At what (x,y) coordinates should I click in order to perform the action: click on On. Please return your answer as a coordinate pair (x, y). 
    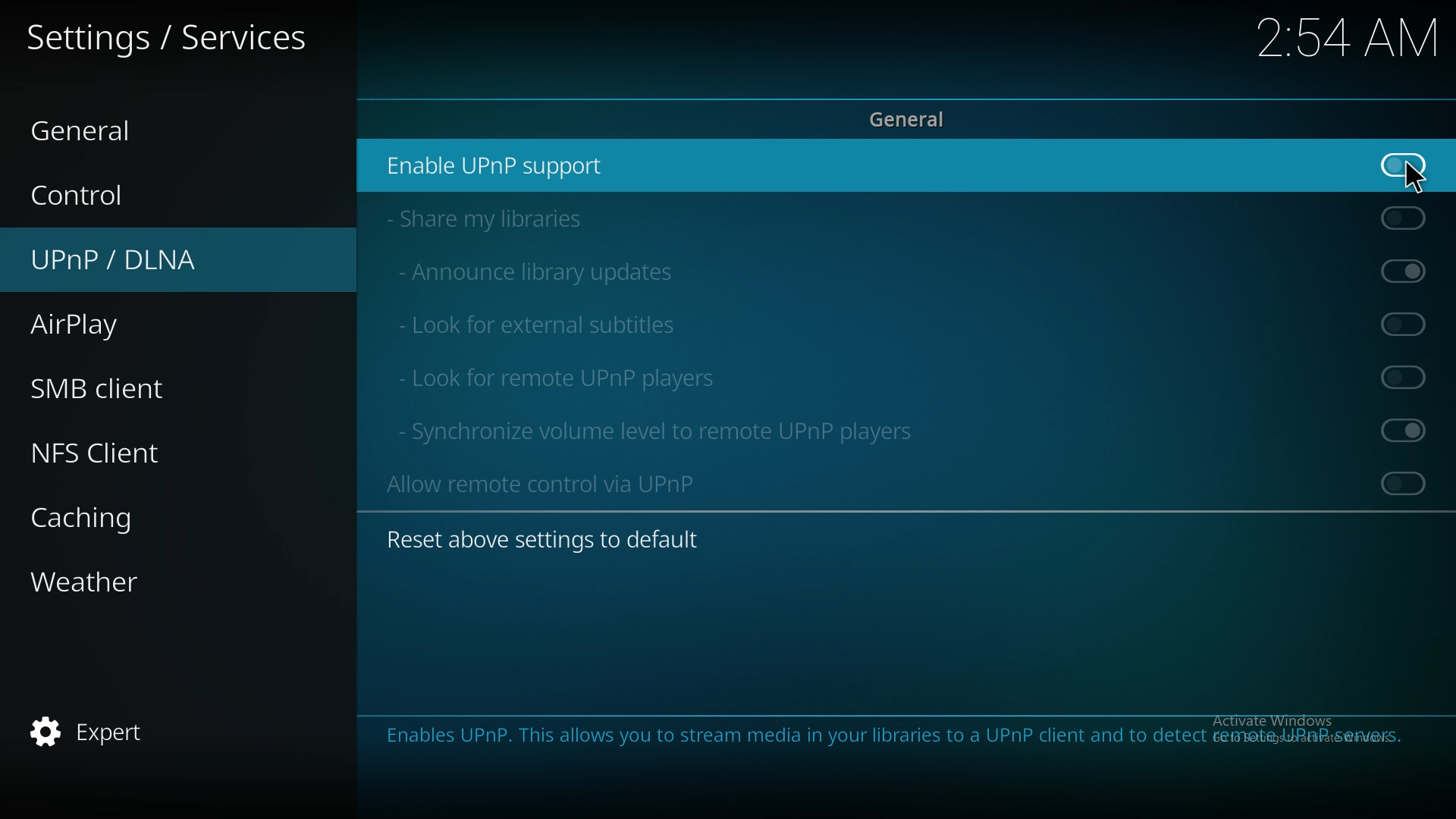
    Looking at the image, I should click on (1403, 429).